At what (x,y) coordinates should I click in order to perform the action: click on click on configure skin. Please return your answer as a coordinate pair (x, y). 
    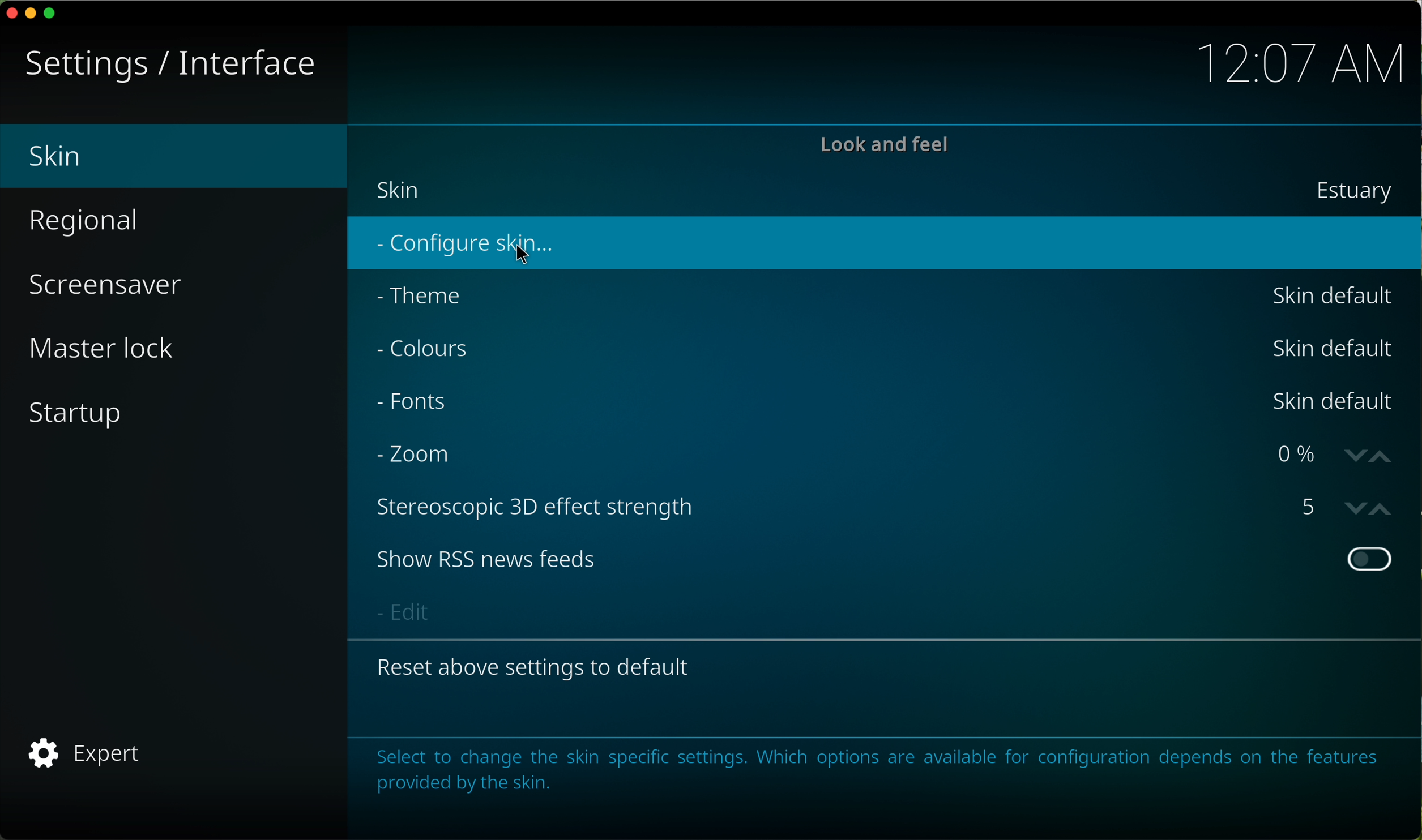
    Looking at the image, I should click on (464, 246).